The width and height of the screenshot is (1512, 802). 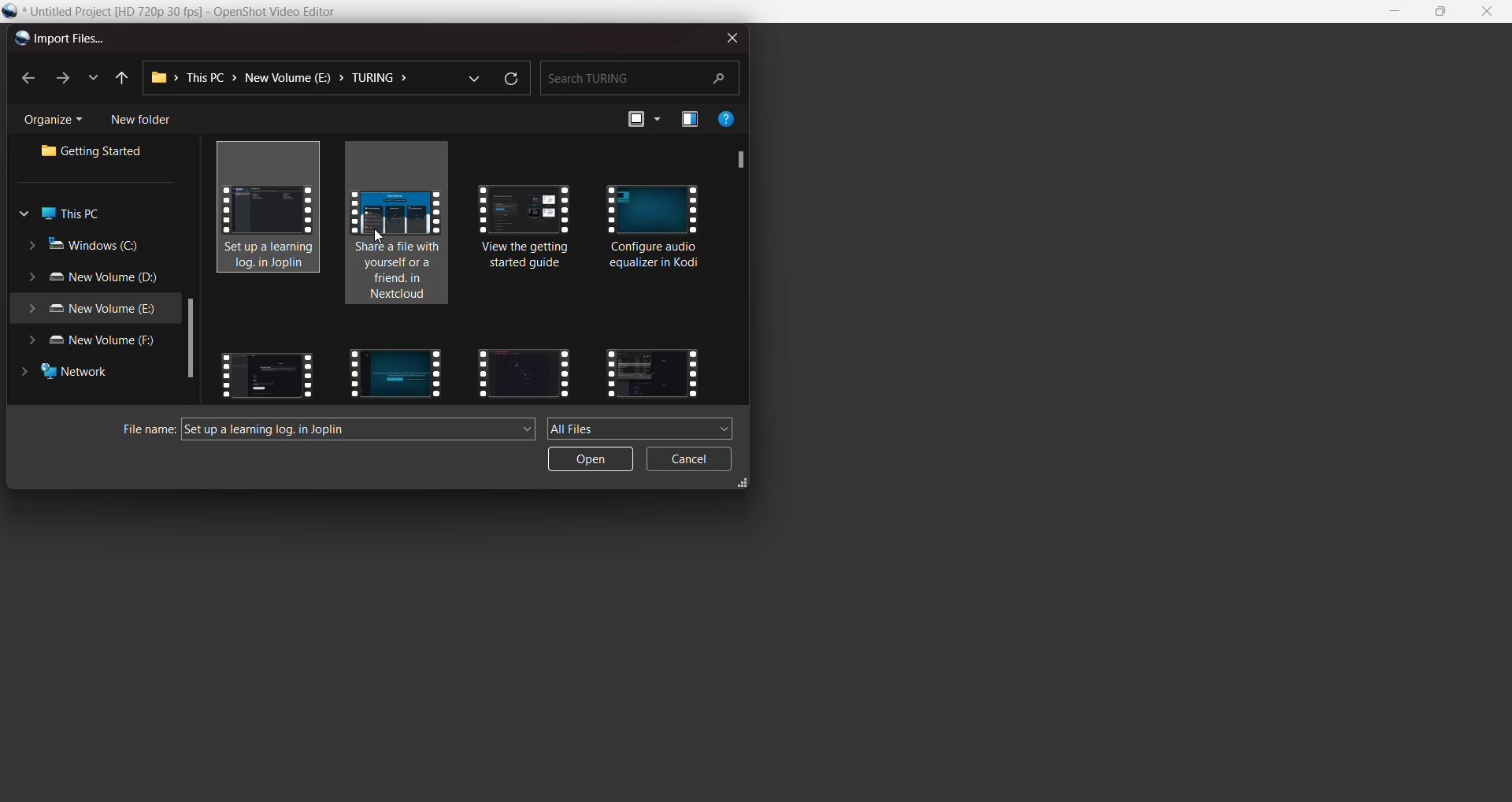 What do you see at coordinates (691, 460) in the screenshot?
I see `cancel` at bounding box center [691, 460].